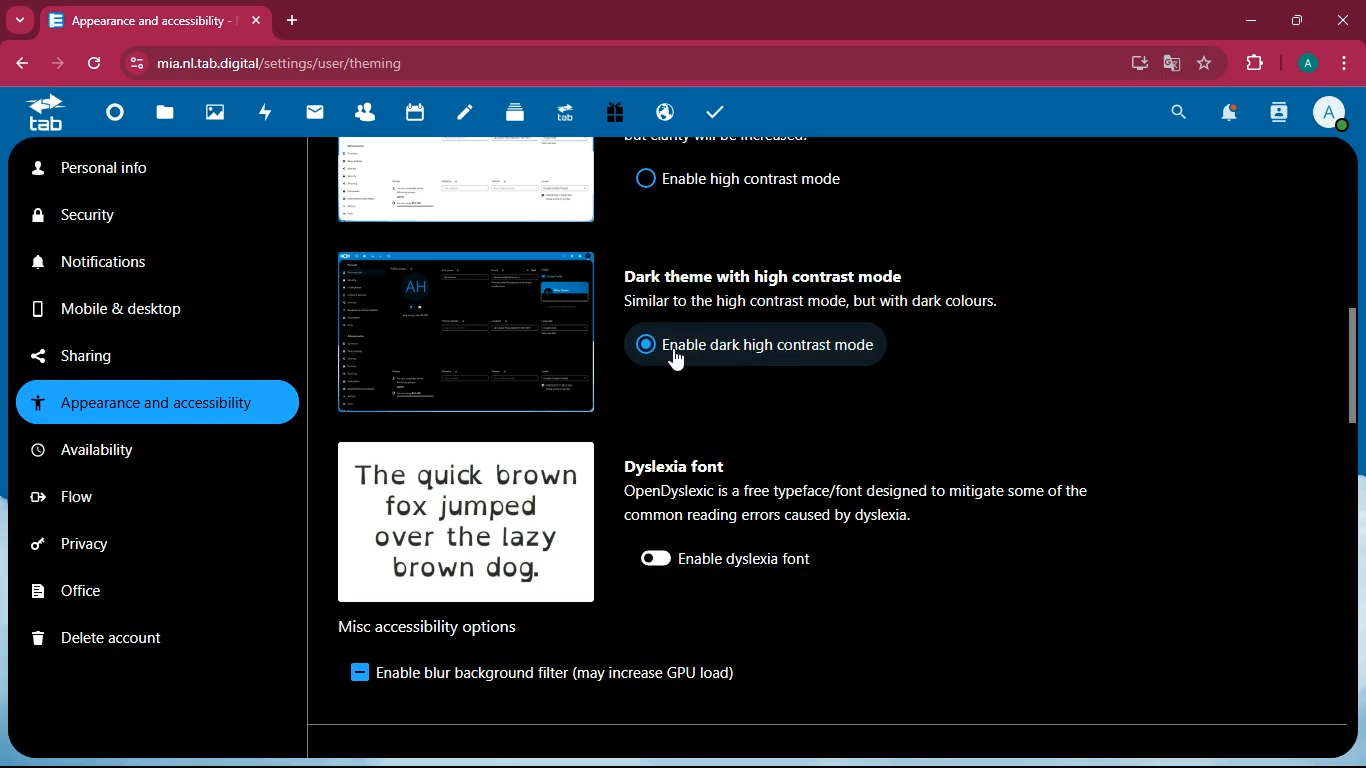 The height and width of the screenshot is (768, 1366). Describe the element at coordinates (366, 116) in the screenshot. I see `friends` at that location.